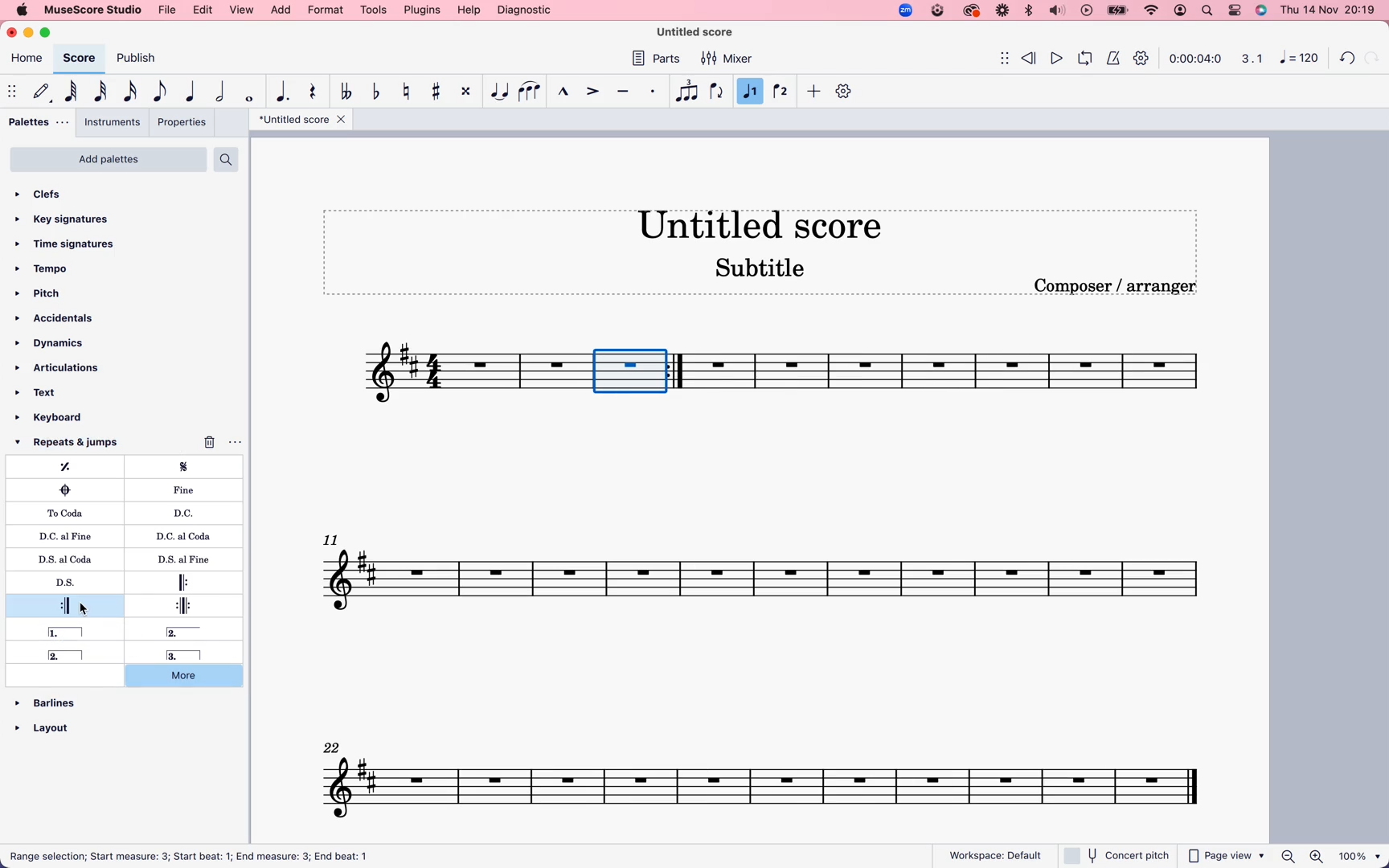 The width and height of the screenshot is (1389, 868). What do you see at coordinates (1117, 11) in the screenshot?
I see `battery` at bounding box center [1117, 11].